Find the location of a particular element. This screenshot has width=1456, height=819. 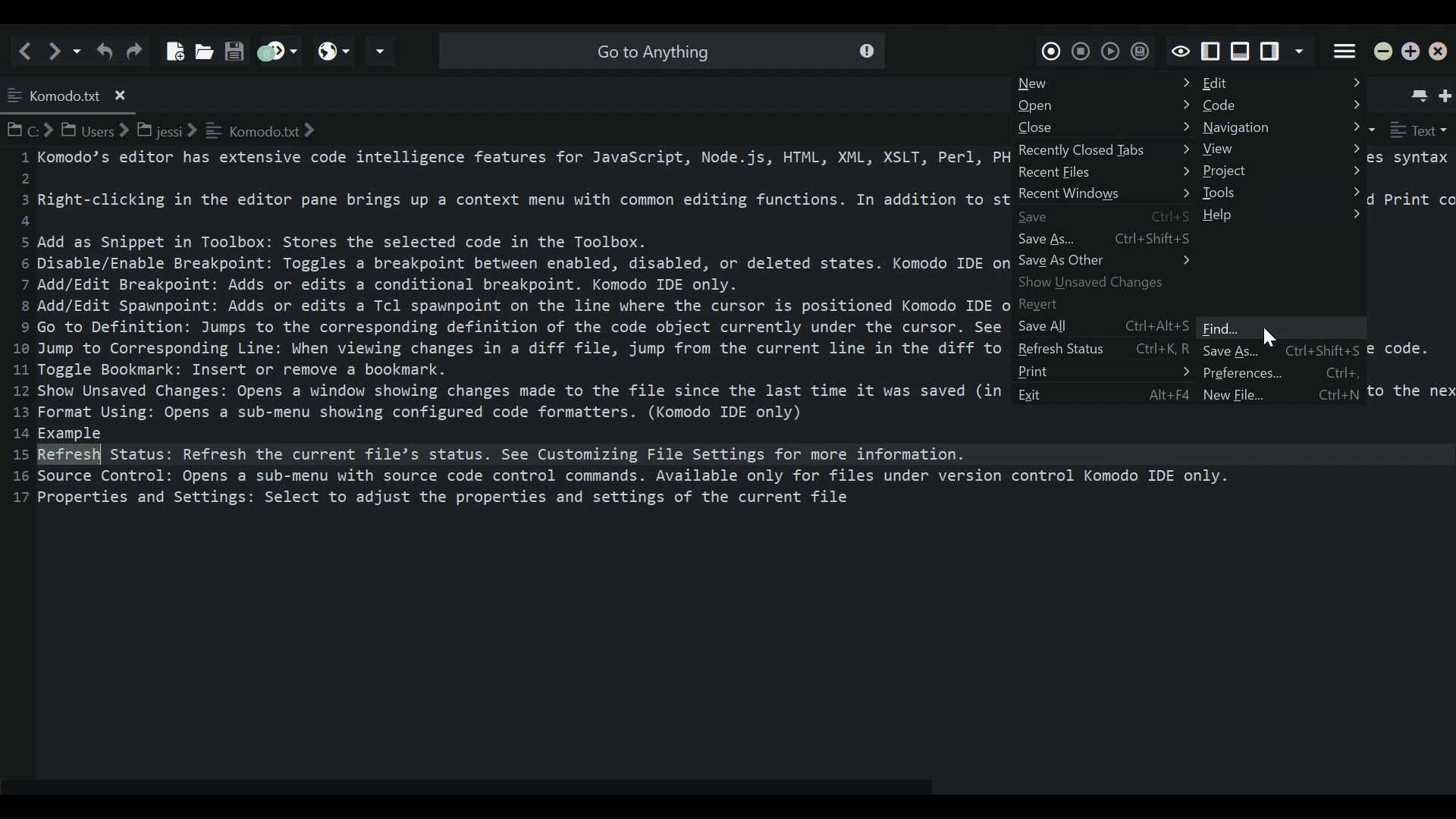

Save As is located at coordinates (1224, 352).